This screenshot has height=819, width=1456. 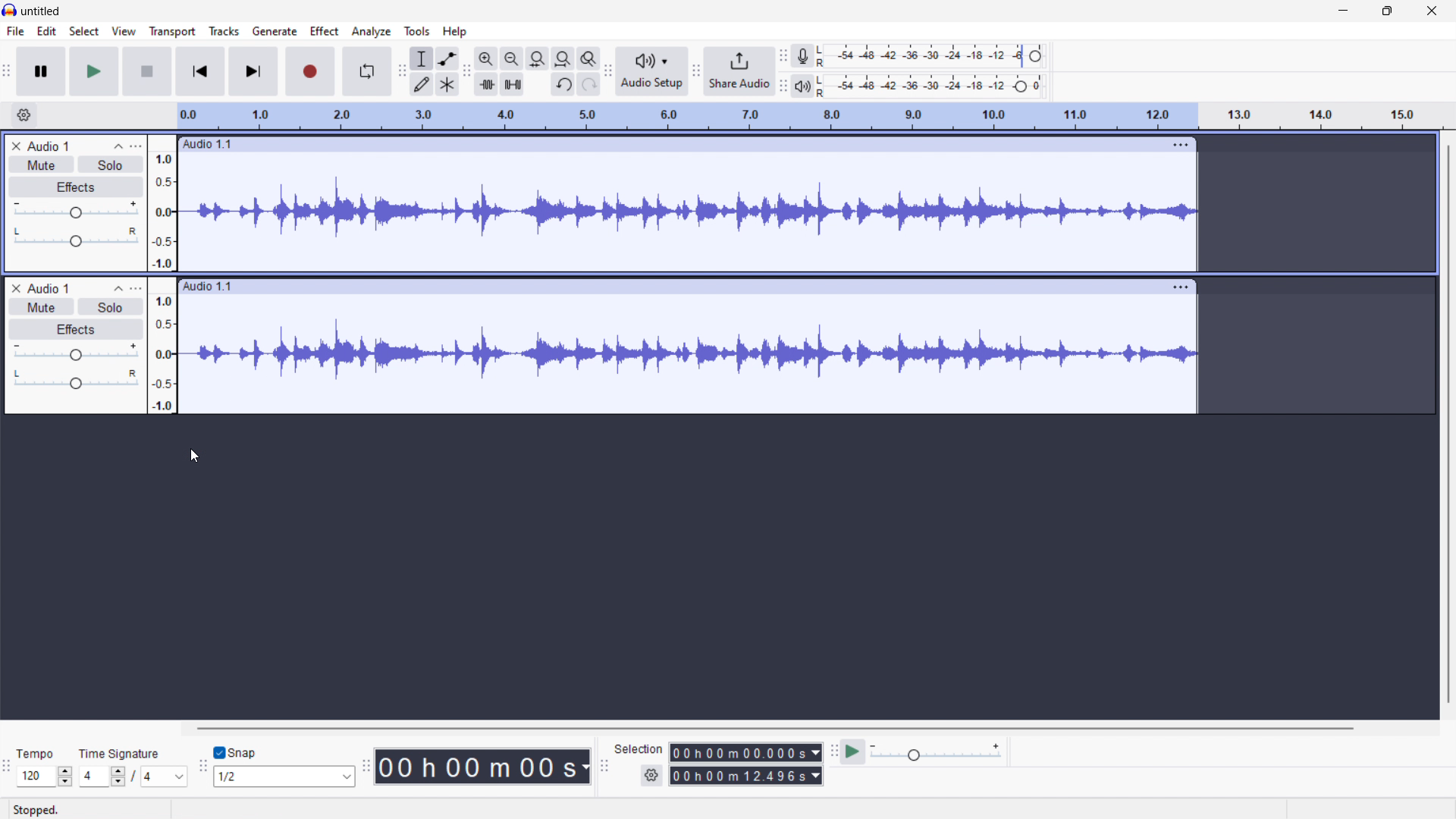 What do you see at coordinates (38, 810) in the screenshot?
I see `Stopped` at bounding box center [38, 810].